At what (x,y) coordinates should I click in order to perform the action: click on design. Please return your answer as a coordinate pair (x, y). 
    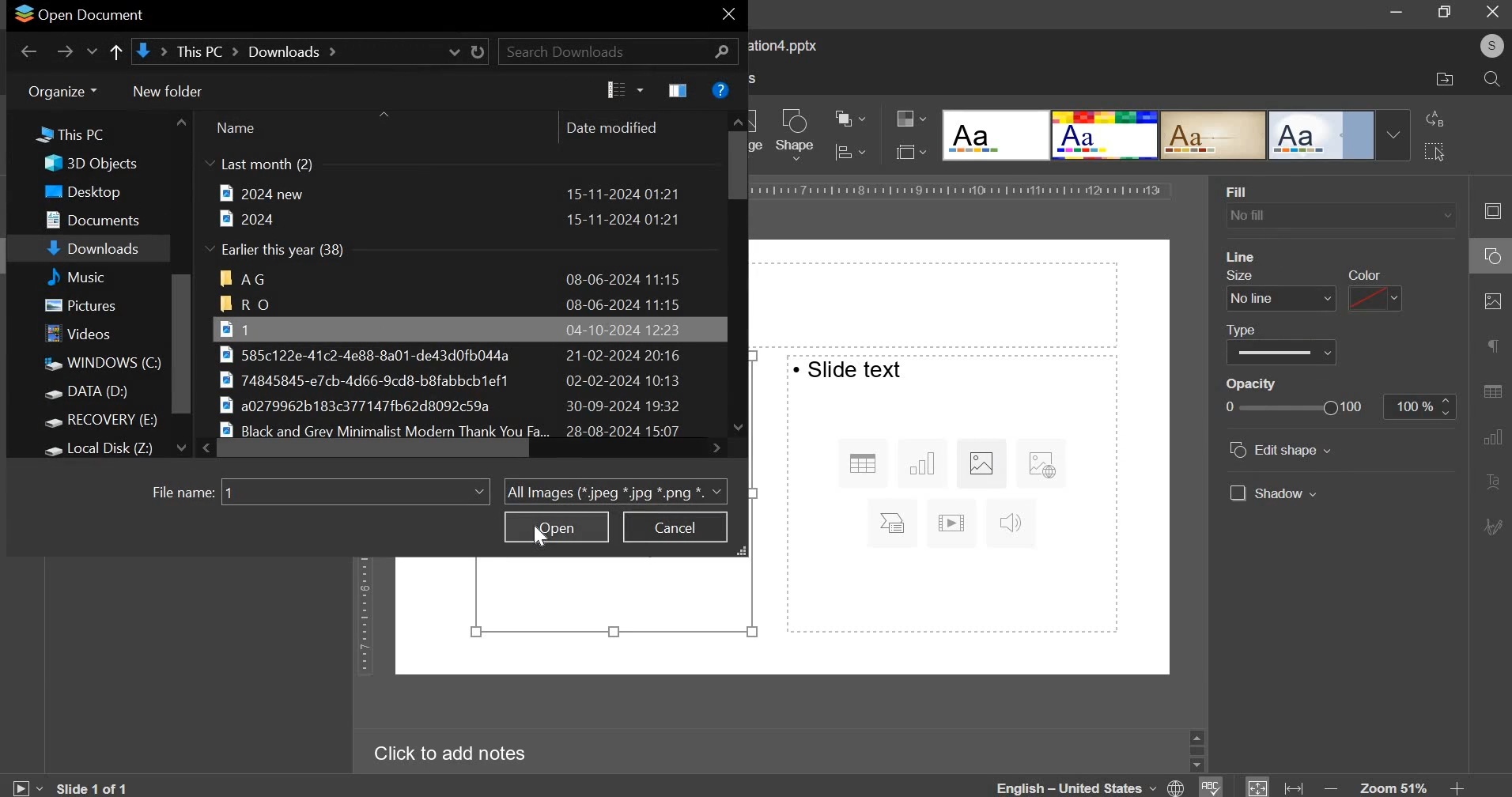
    Looking at the image, I should click on (1106, 136).